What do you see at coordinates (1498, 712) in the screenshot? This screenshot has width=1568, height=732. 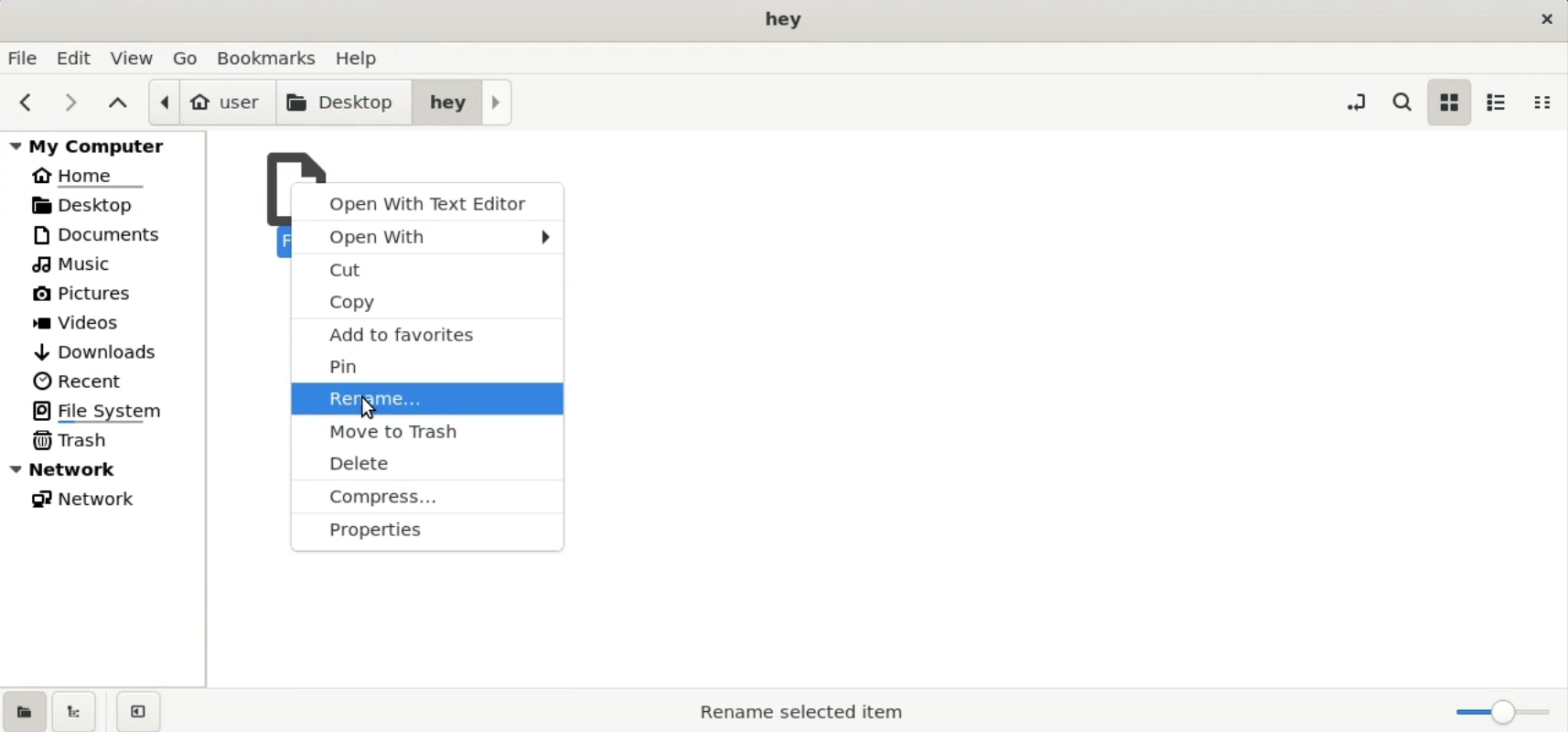 I see `zoom` at bounding box center [1498, 712].